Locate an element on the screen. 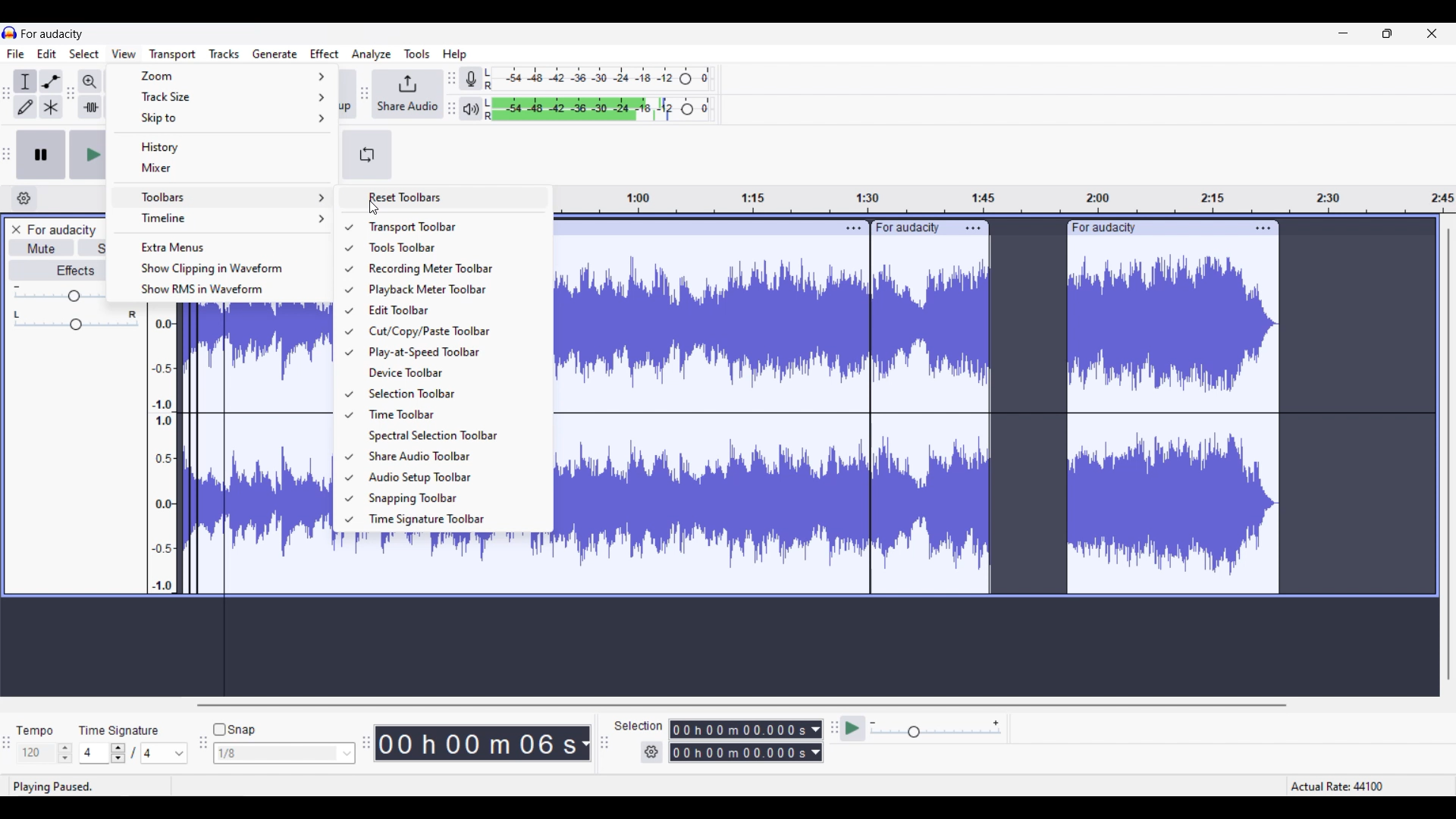  Time signature toolbar is located at coordinates (452, 519).